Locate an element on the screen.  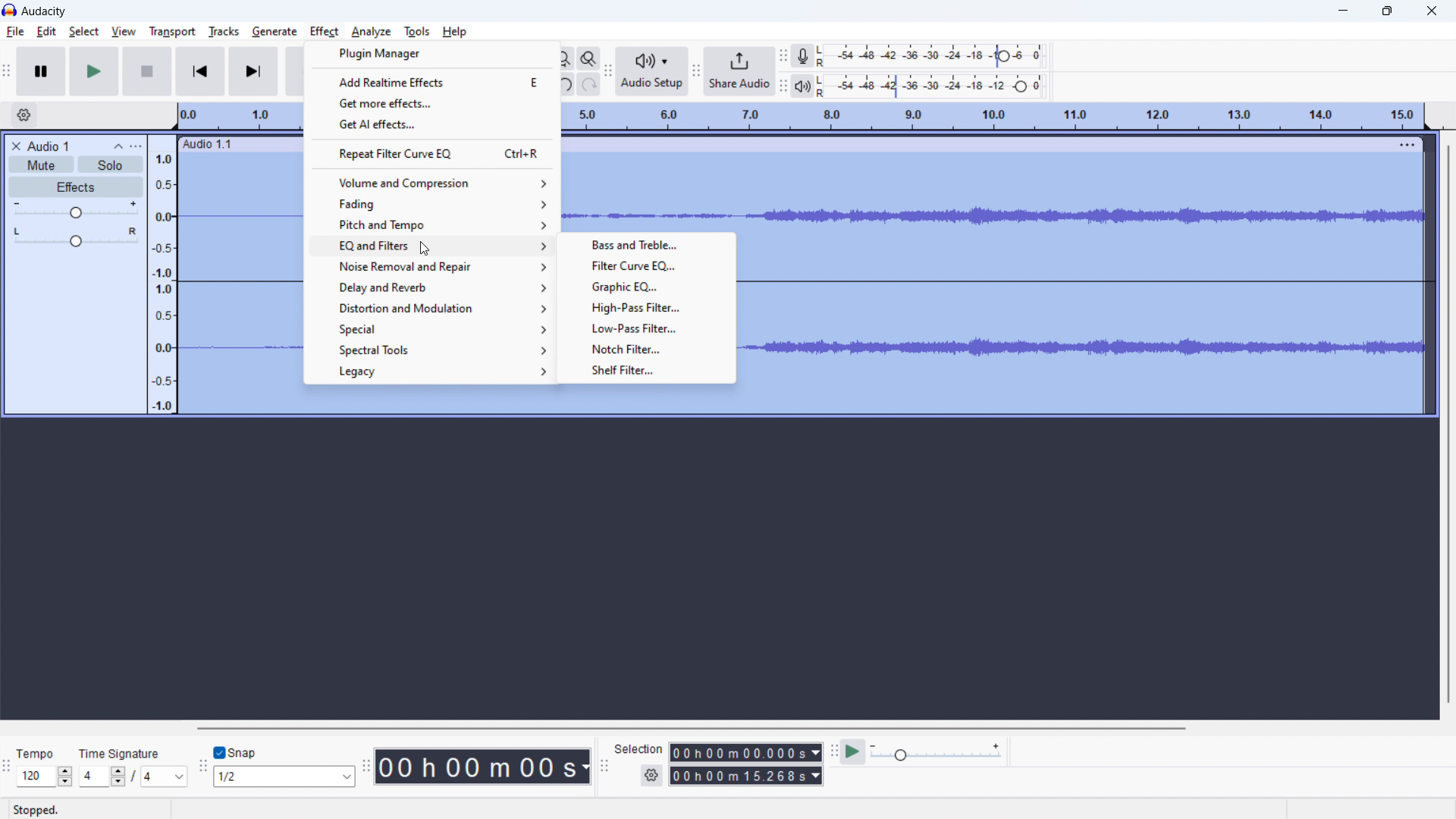
skip to start is located at coordinates (200, 71).